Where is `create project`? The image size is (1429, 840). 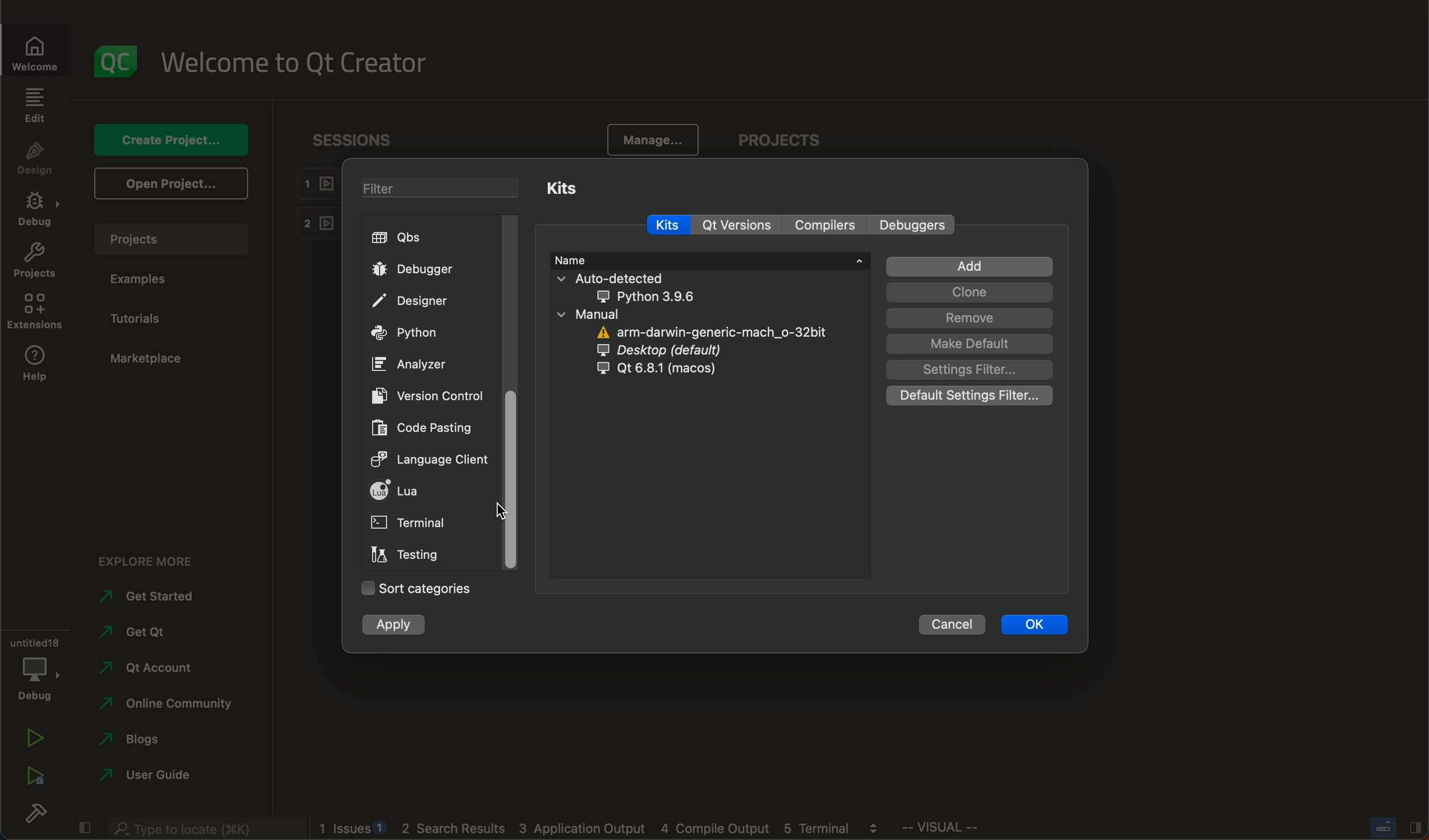
create project is located at coordinates (171, 138).